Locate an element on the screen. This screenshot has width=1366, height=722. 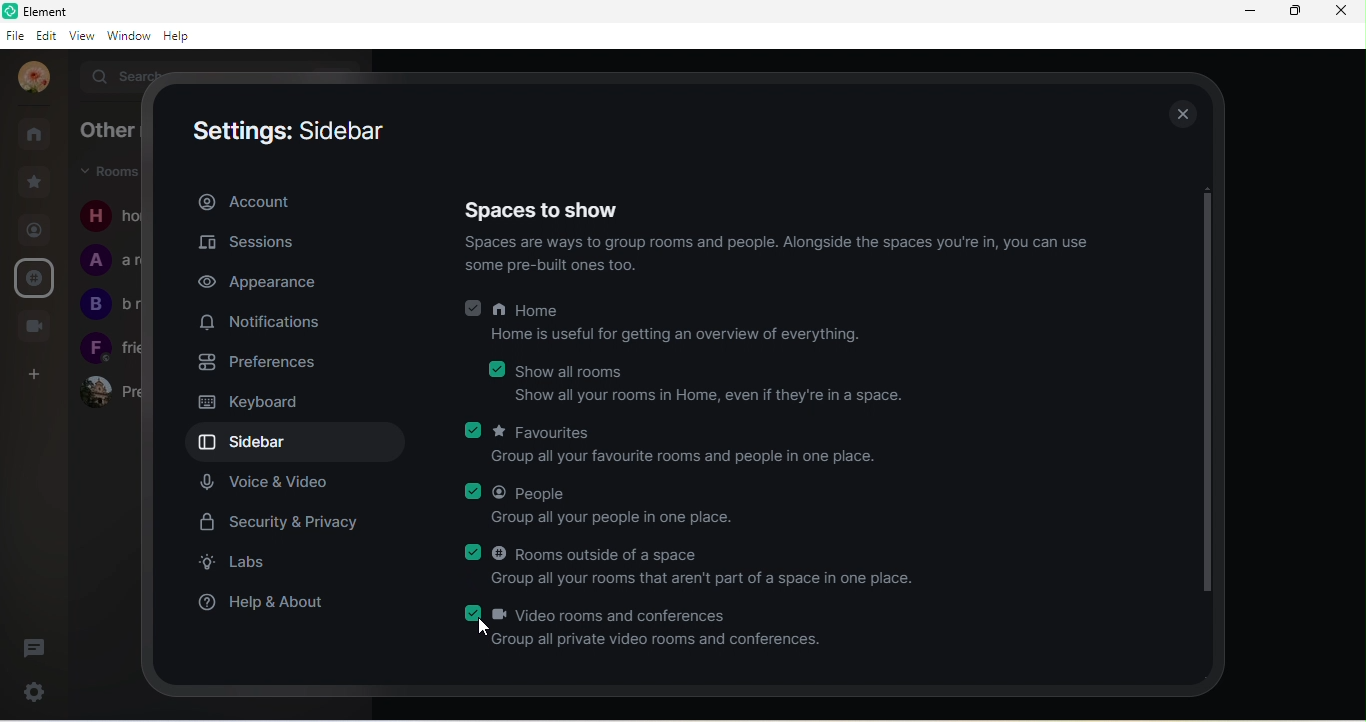
home is located at coordinates (673, 325).